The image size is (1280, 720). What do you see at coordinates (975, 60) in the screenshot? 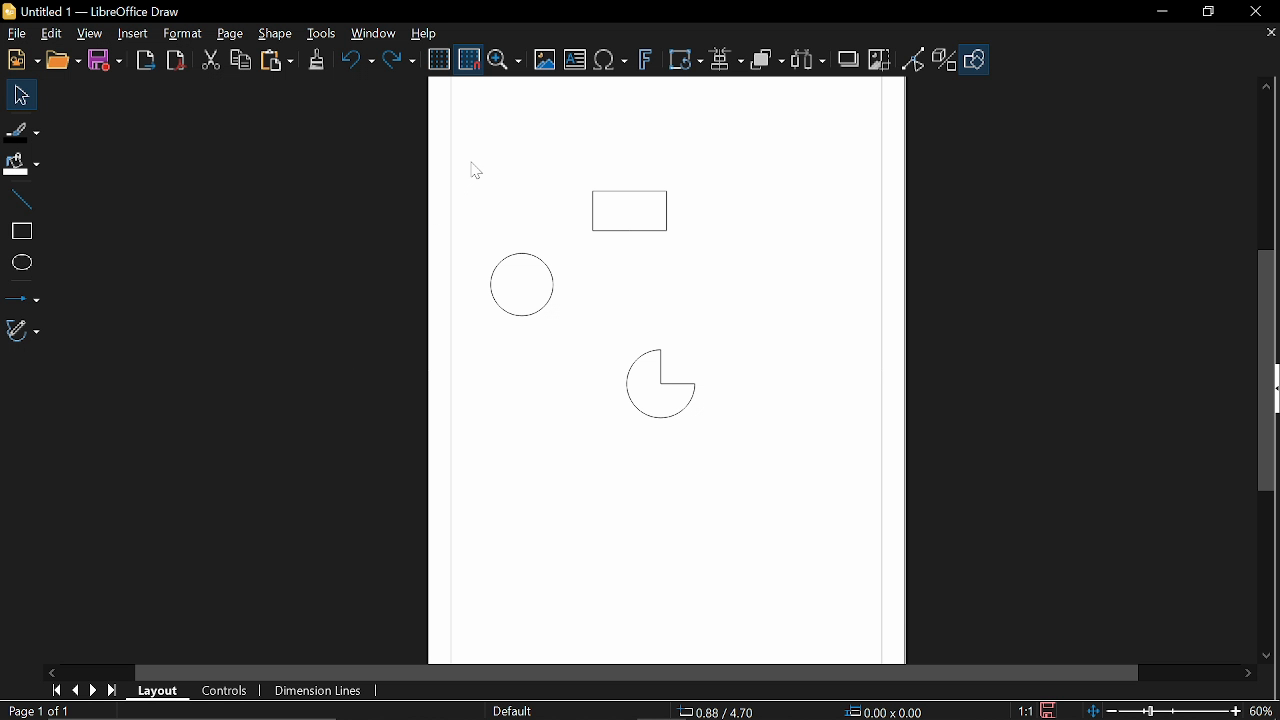
I see `Shapes` at bounding box center [975, 60].